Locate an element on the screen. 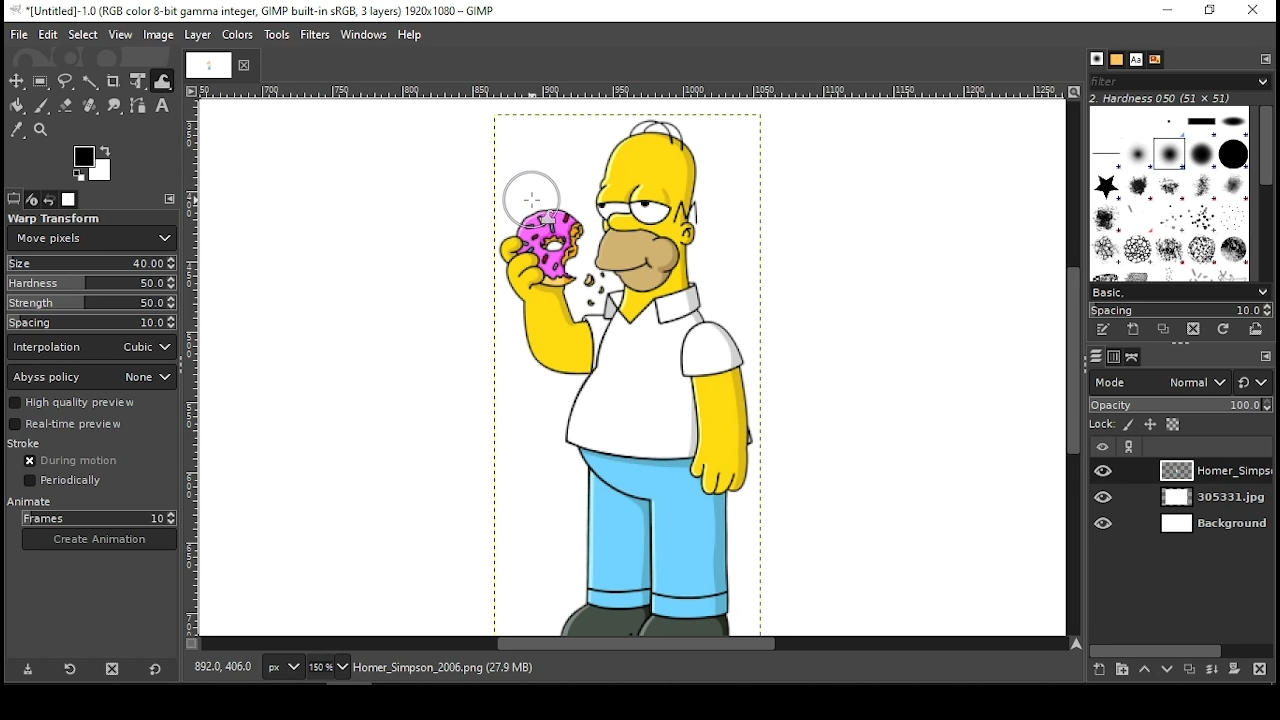 The width and height of the screenshot is (1280, 720). painbucket tool is located at coordinates (16, 106).